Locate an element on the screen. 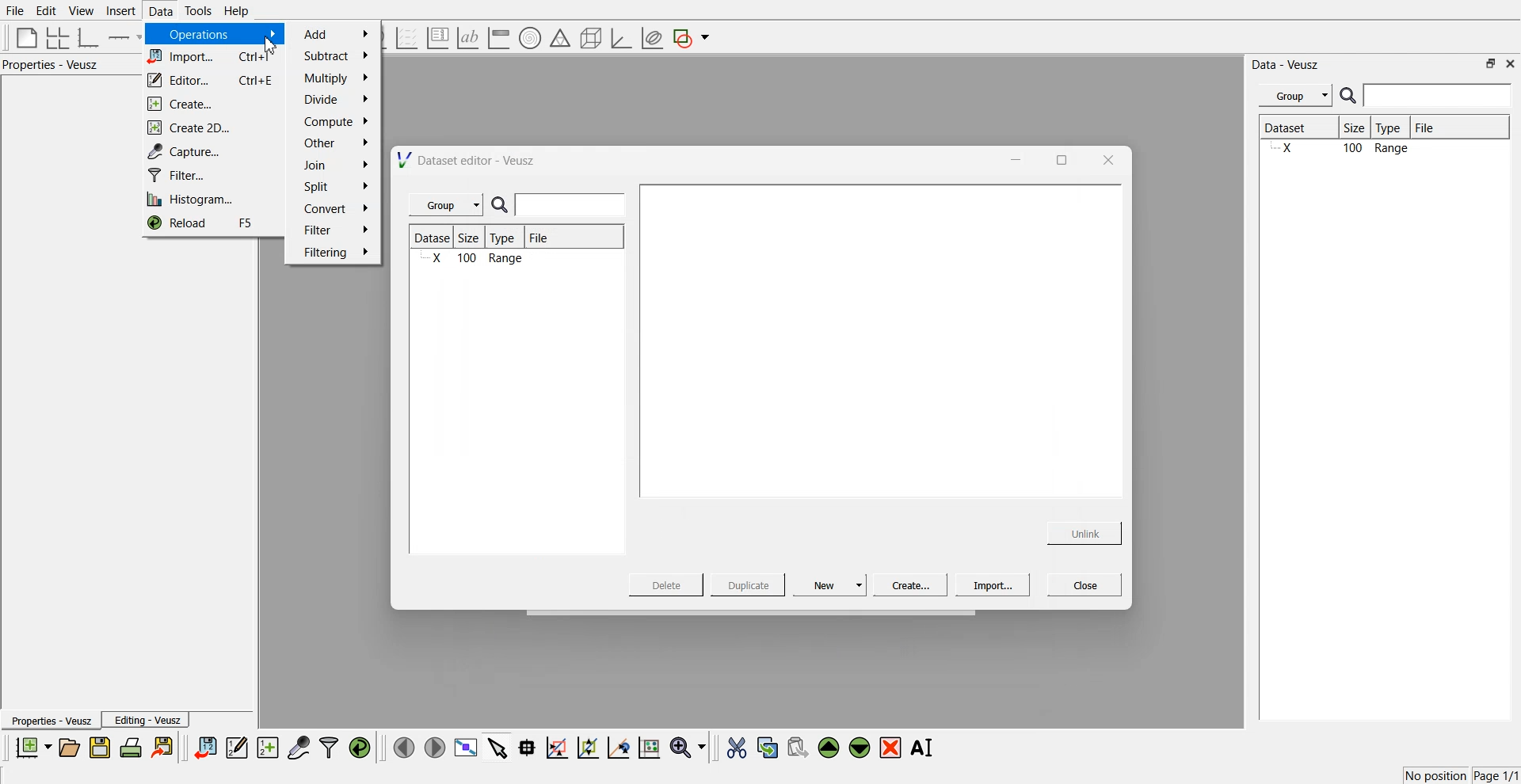 The image size is (1521, 784). Properties - Veusz is located at coordinates (55, 65).